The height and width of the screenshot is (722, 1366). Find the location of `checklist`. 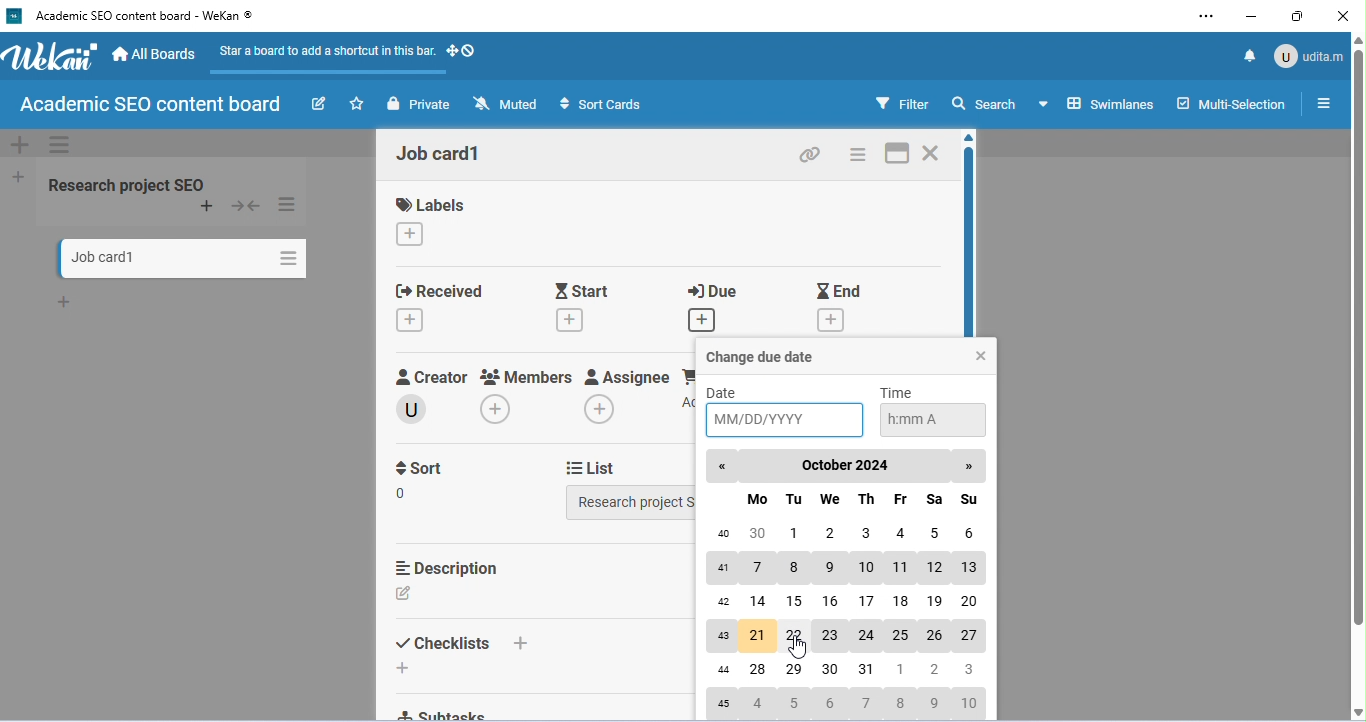

checklist is located at coordinates (442, 643).